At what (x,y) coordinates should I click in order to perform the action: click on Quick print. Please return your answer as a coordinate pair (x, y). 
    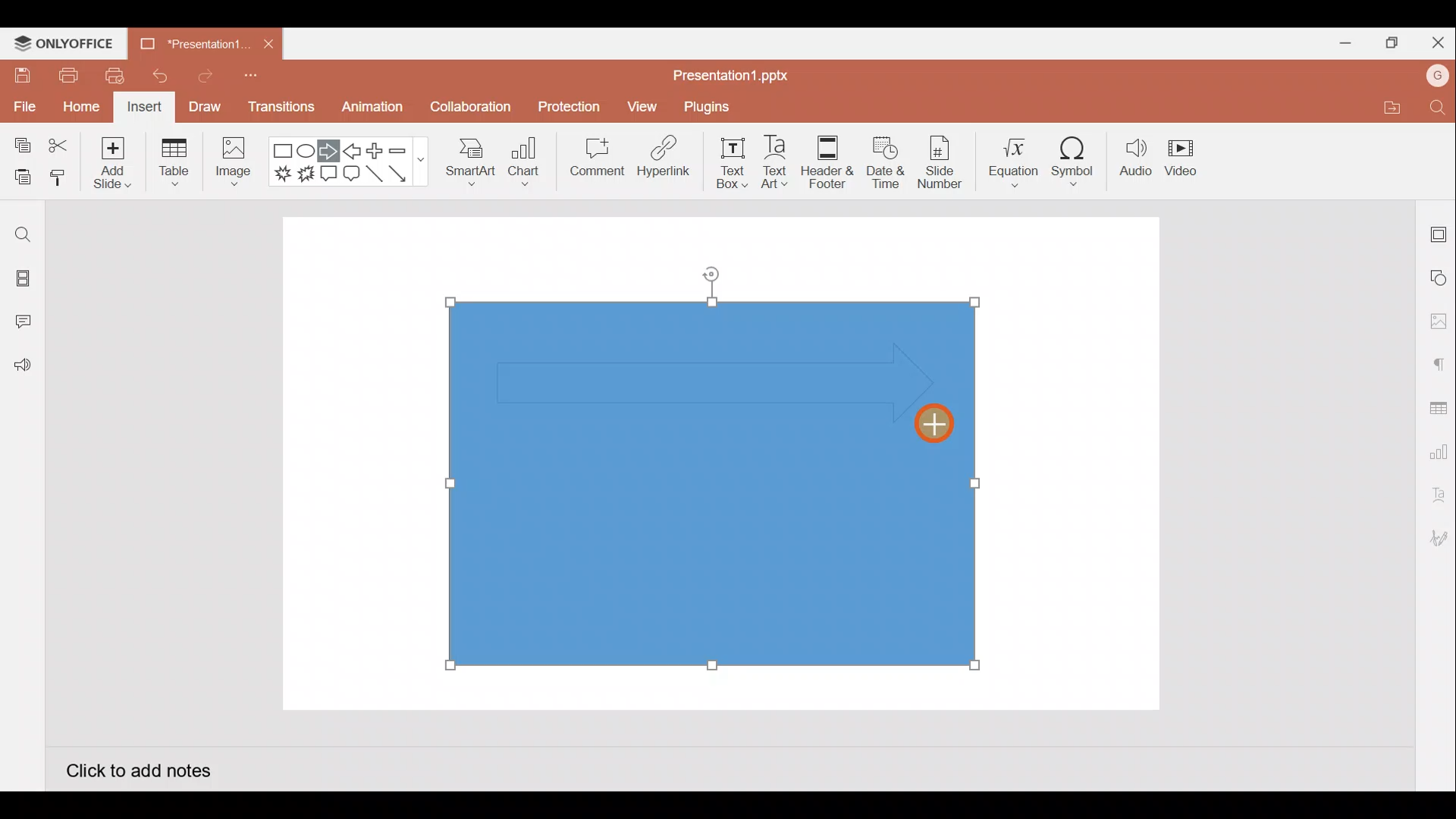
    Looking at the image, I should click on (110, 76).